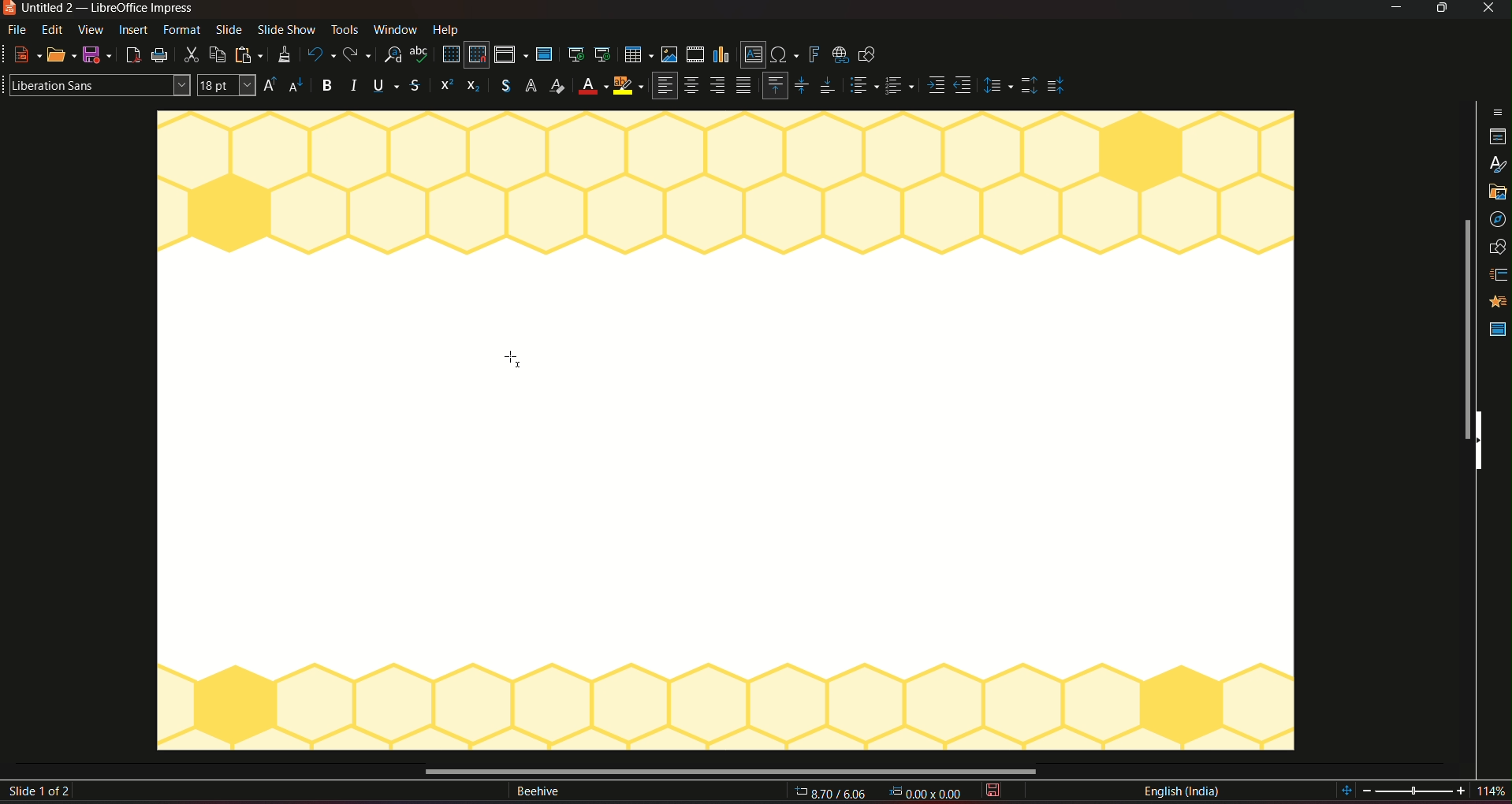  What do you see at coordinates (1484, 441) in the screenshot?
I see `hide sidebar` at bounding box center [1484, 441].